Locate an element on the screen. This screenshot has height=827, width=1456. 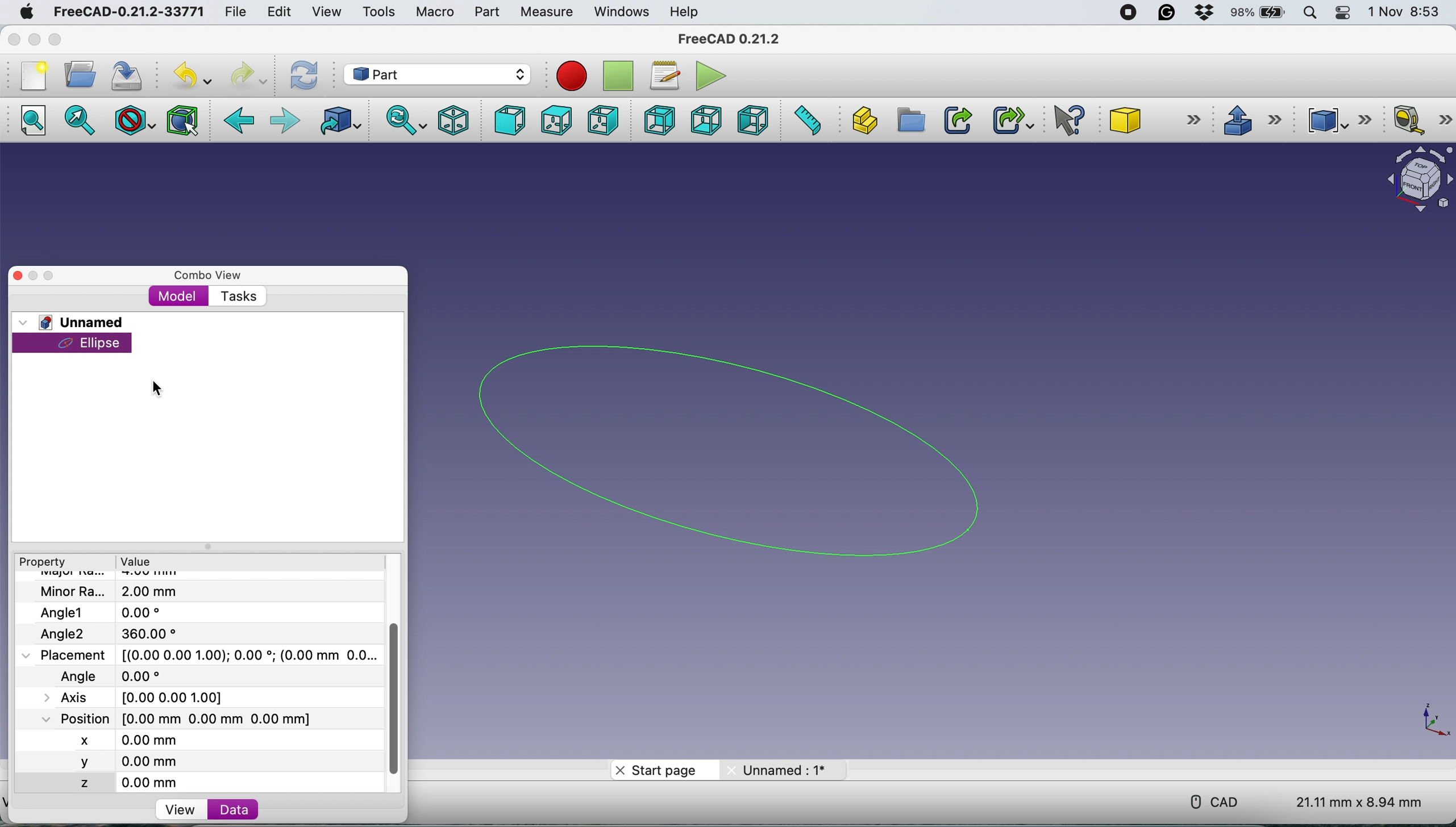
dropbox is located at coordinates (1205, 13).